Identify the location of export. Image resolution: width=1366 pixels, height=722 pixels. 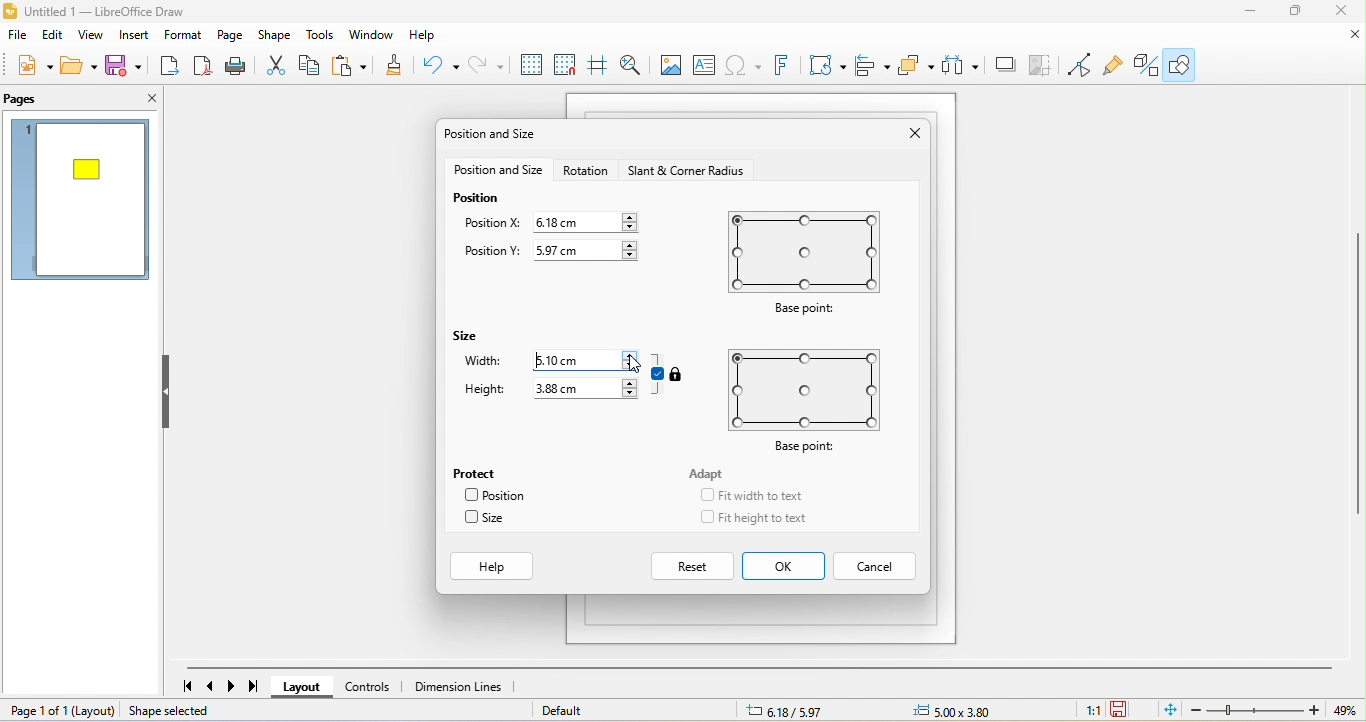
(167, 68).